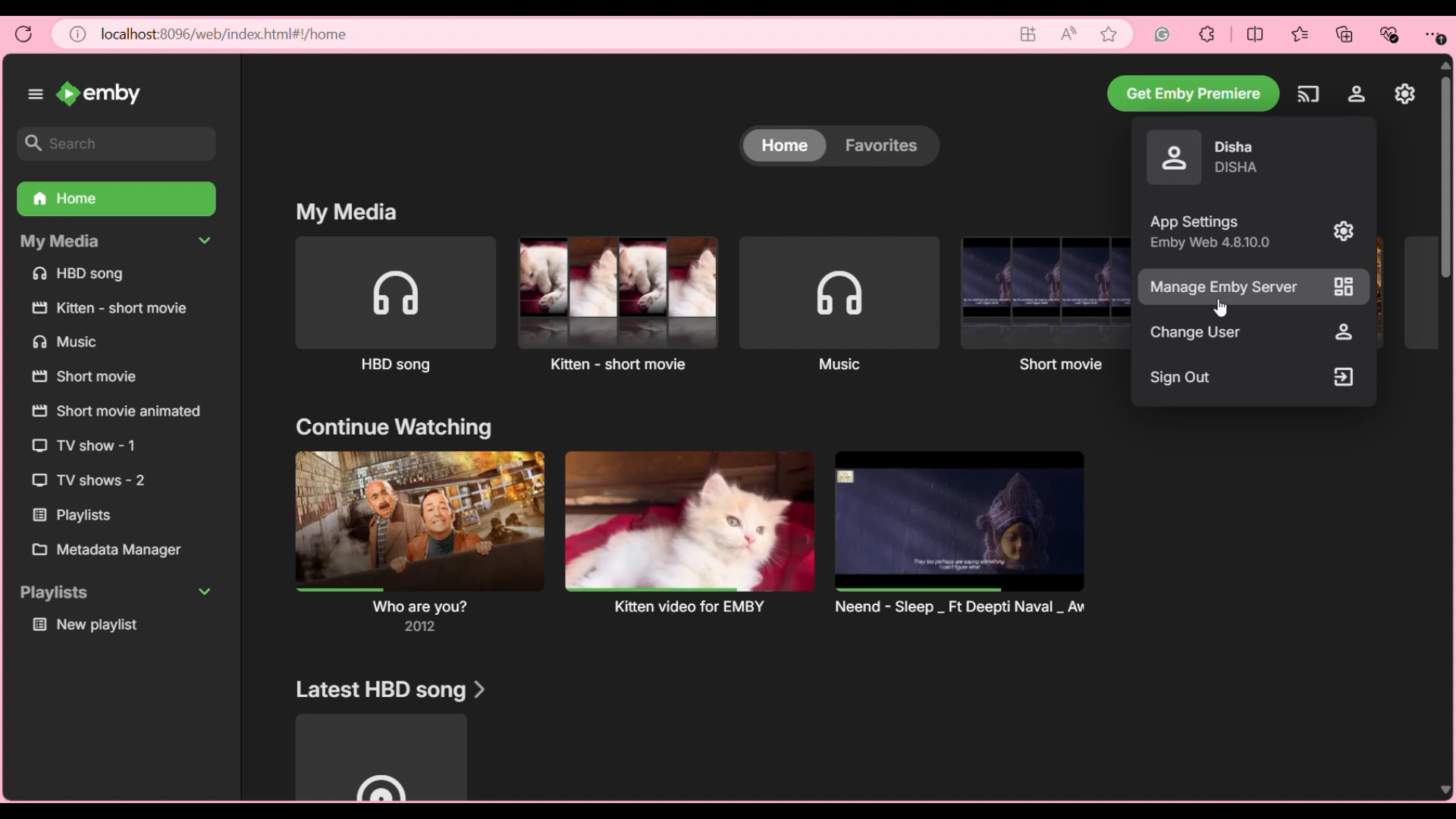 Image resolution: width=1456 pixels, height=819 pixels. What do you see at coordinates (411, 542) in the screenshot?
I see `WHO ARE YOU?` at bounding box center [411, 542].